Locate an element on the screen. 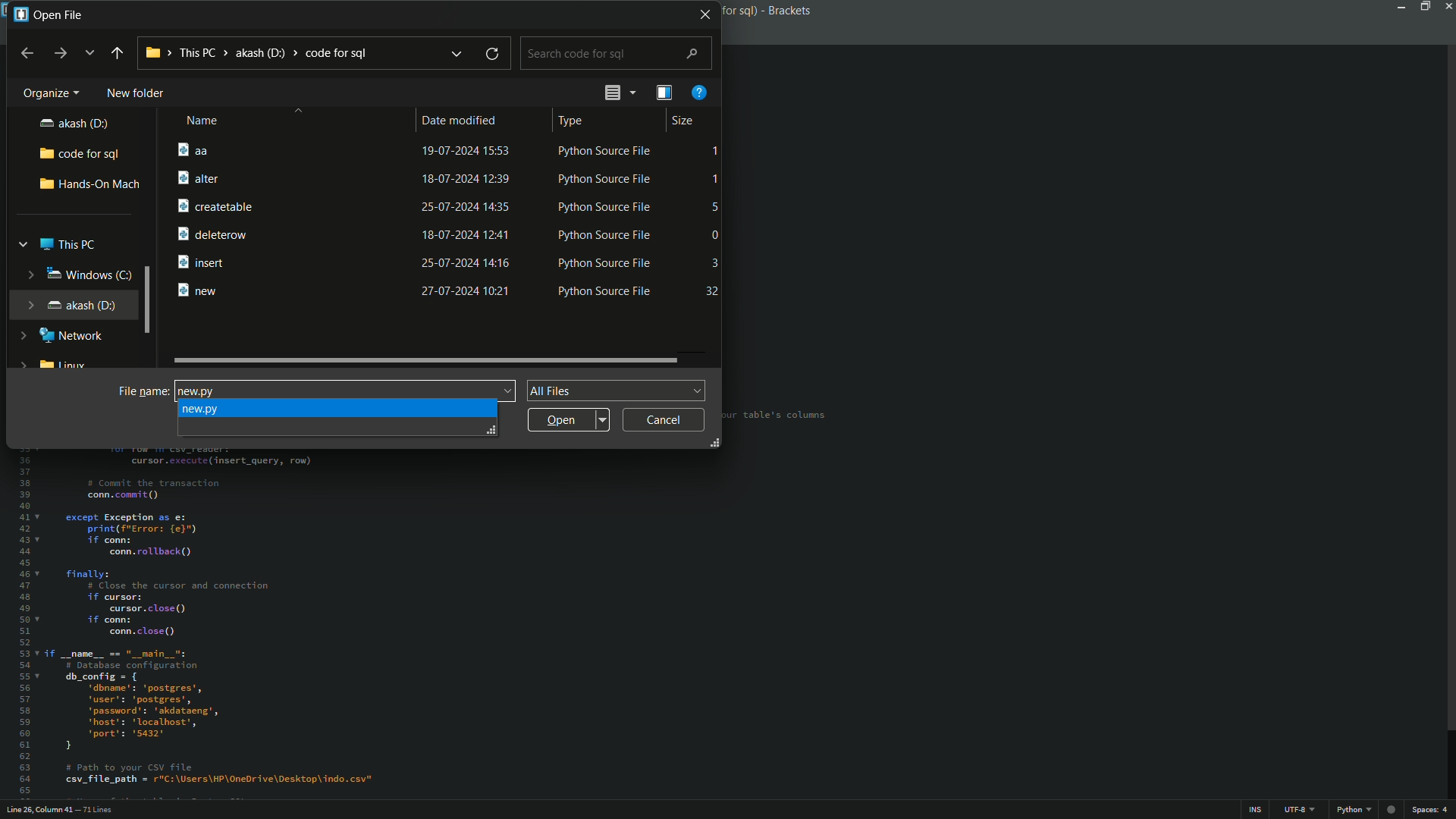  27-07-2024 10:21 is located at coordinates (467, 292).